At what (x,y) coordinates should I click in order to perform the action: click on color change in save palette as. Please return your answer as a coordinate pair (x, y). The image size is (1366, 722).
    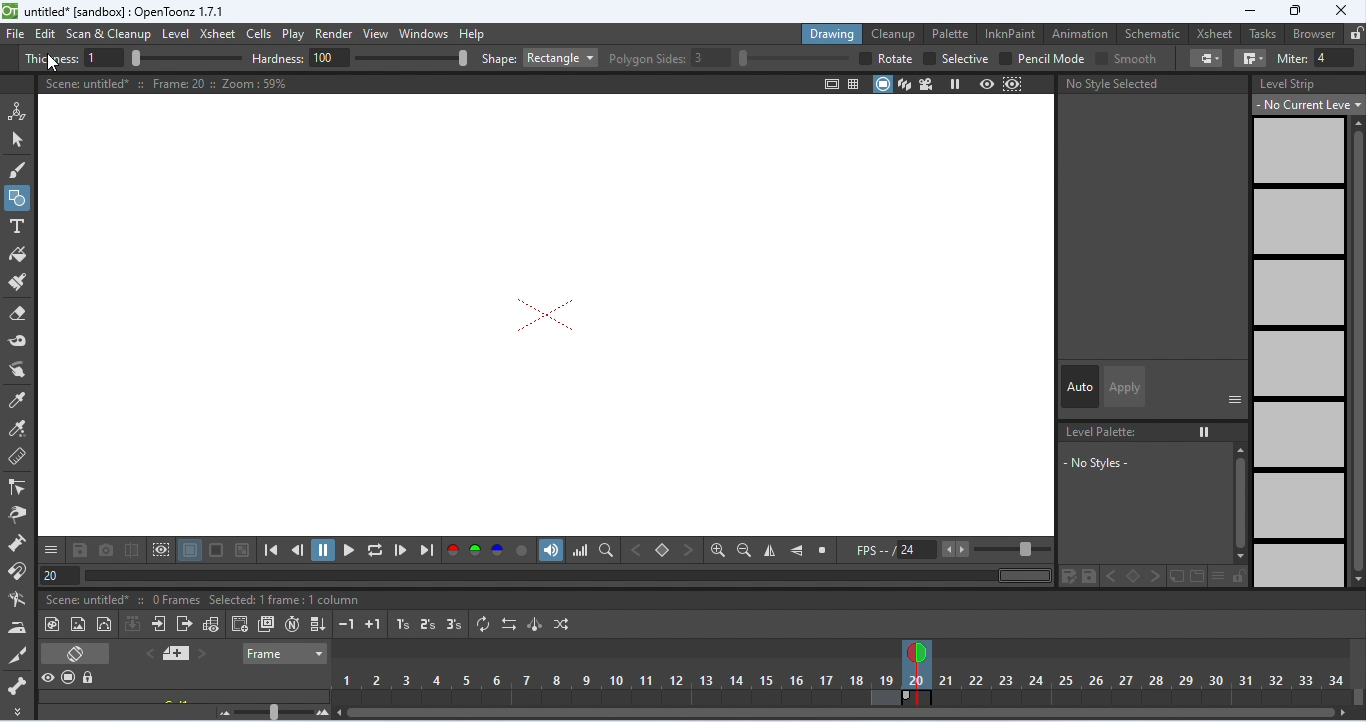
    Looking at the image, I should click on (1066, 577).